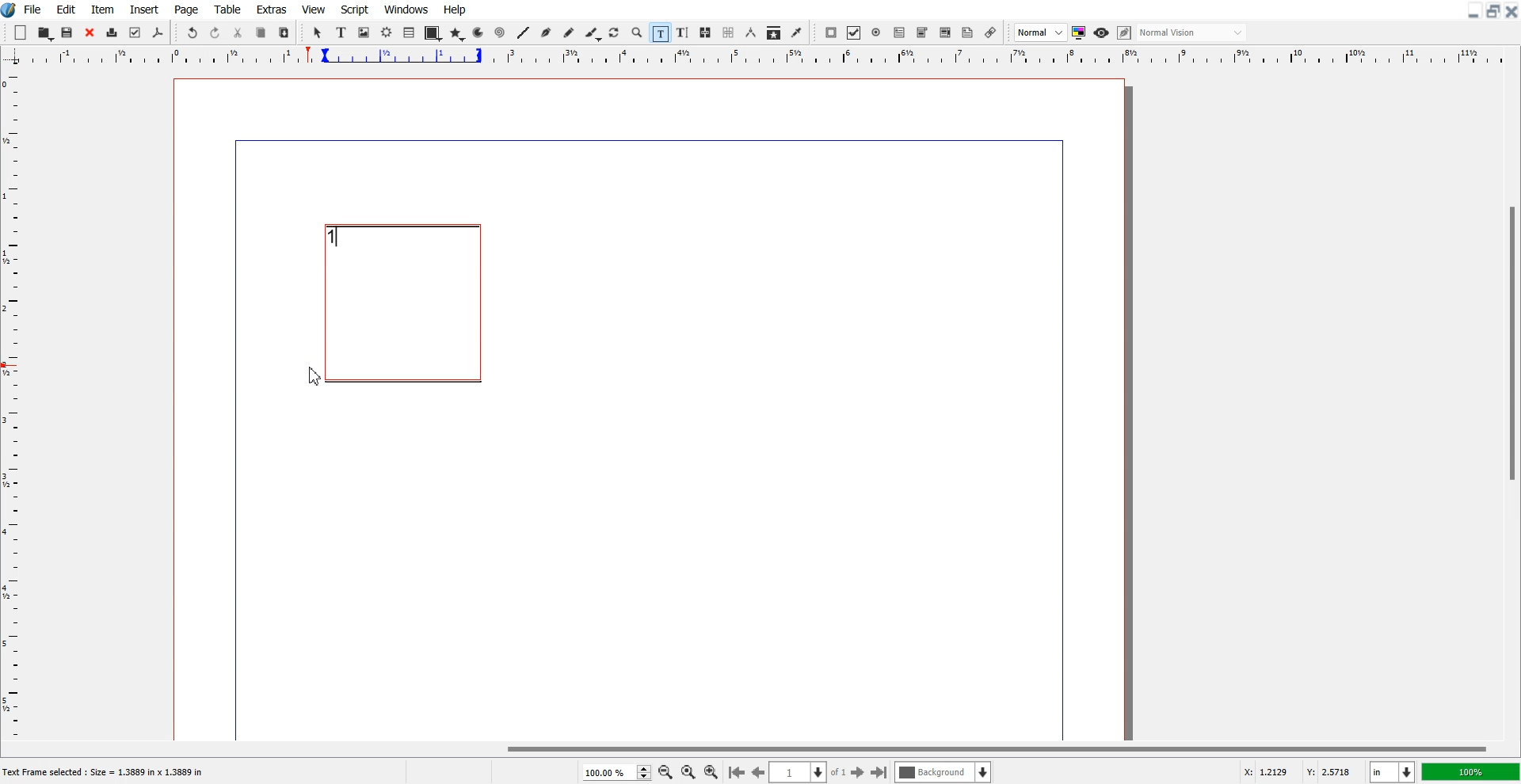 The width and height of the screenshot is (1521, 784). I want to click on Horizontal Scale, so click(778, 57).